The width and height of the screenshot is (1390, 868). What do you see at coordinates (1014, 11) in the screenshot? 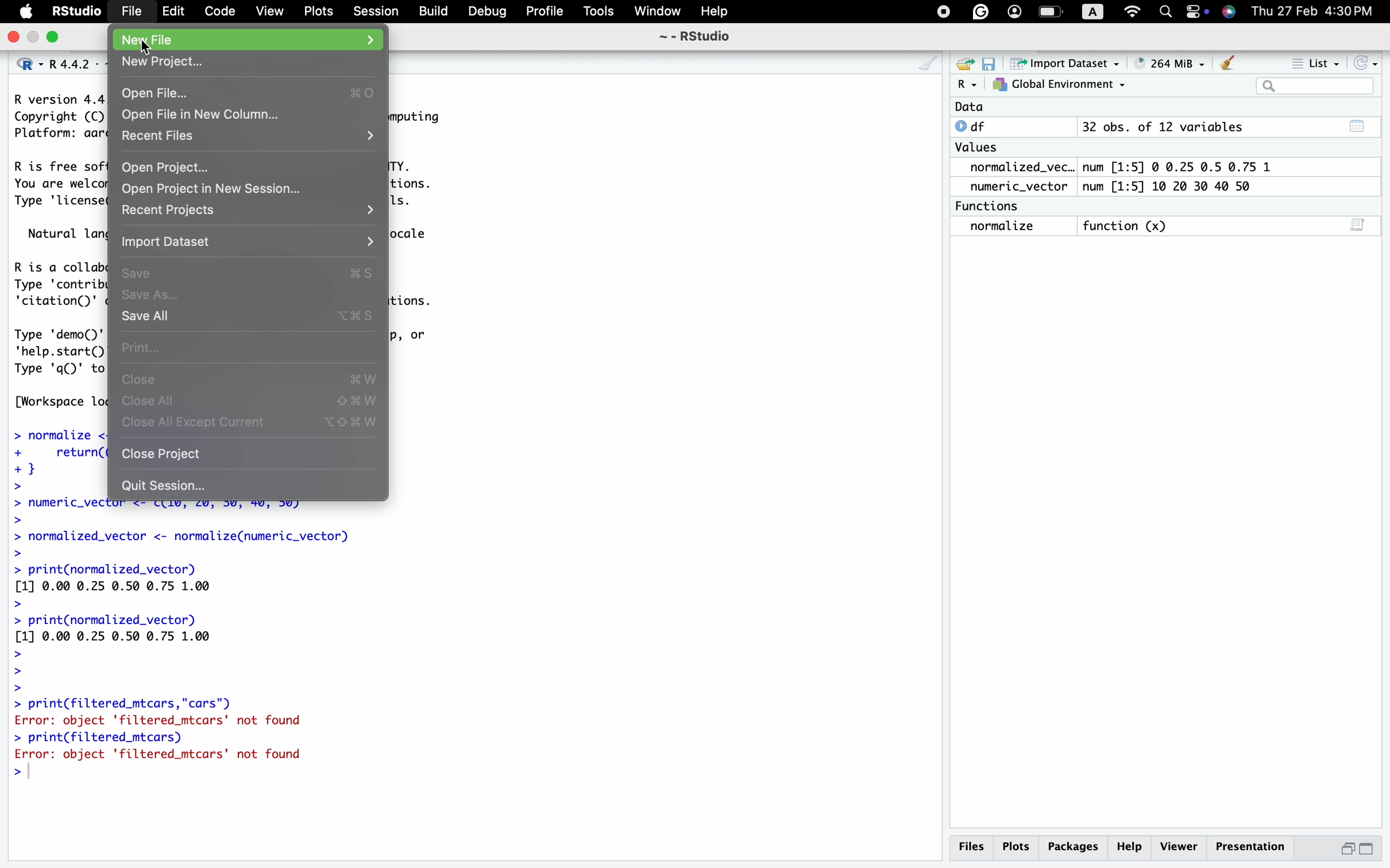
I see `profile` at bounding box center [1014, 11].